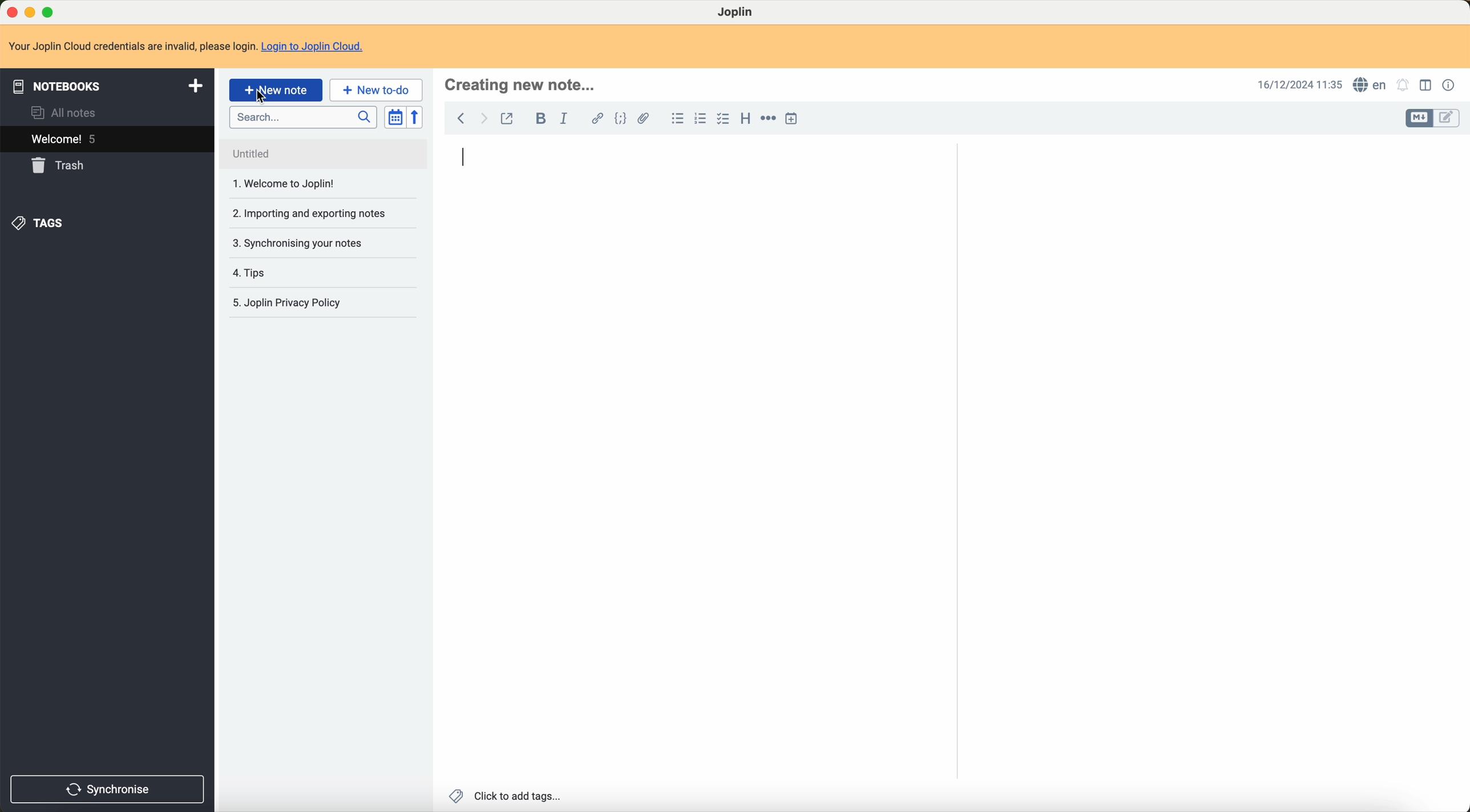  I want to click on Joplin, so click(738, 13).